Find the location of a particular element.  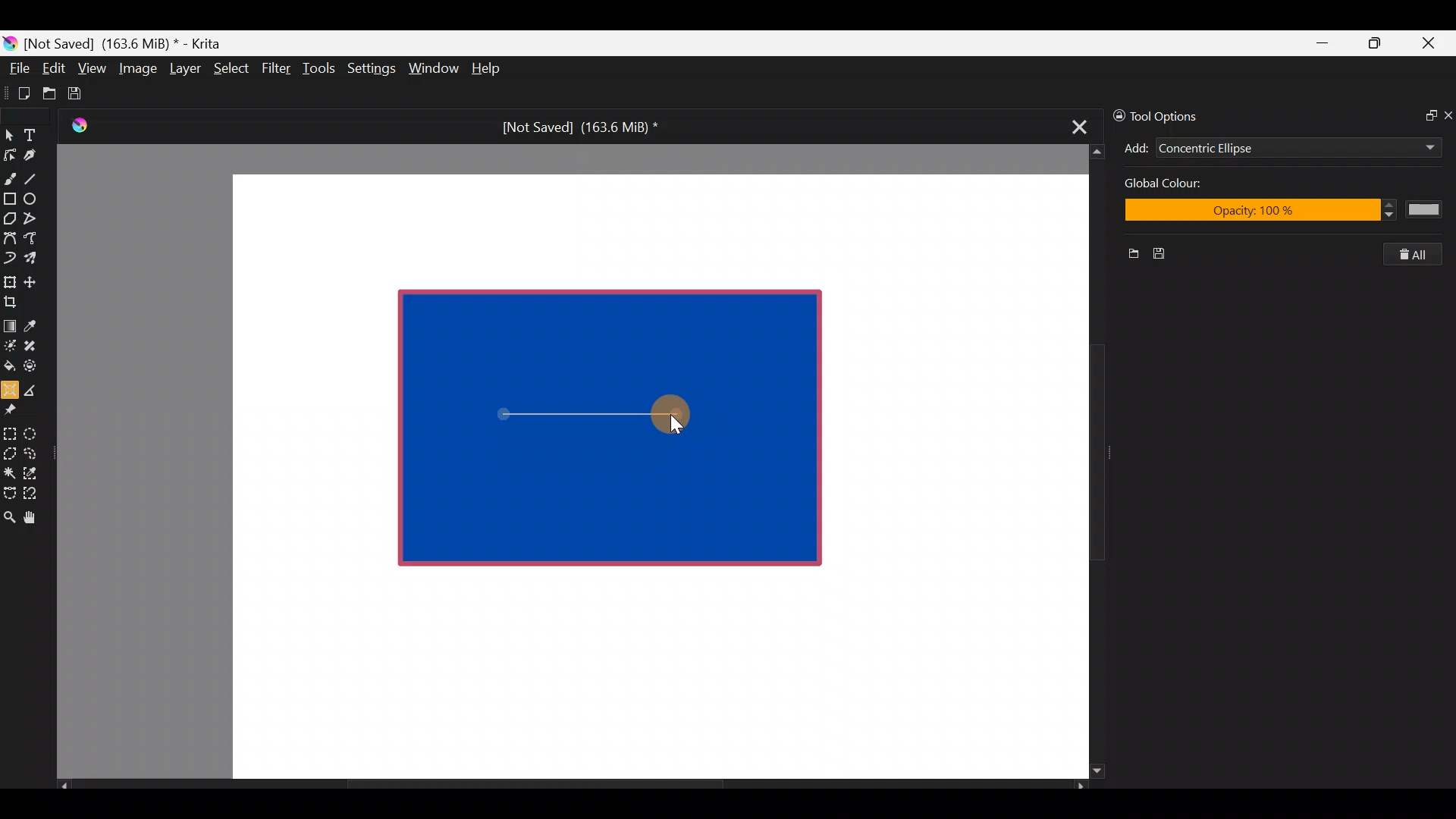

[Not Saved] (163.6 MiB) * - Krita is located at coordinates (130, 42).